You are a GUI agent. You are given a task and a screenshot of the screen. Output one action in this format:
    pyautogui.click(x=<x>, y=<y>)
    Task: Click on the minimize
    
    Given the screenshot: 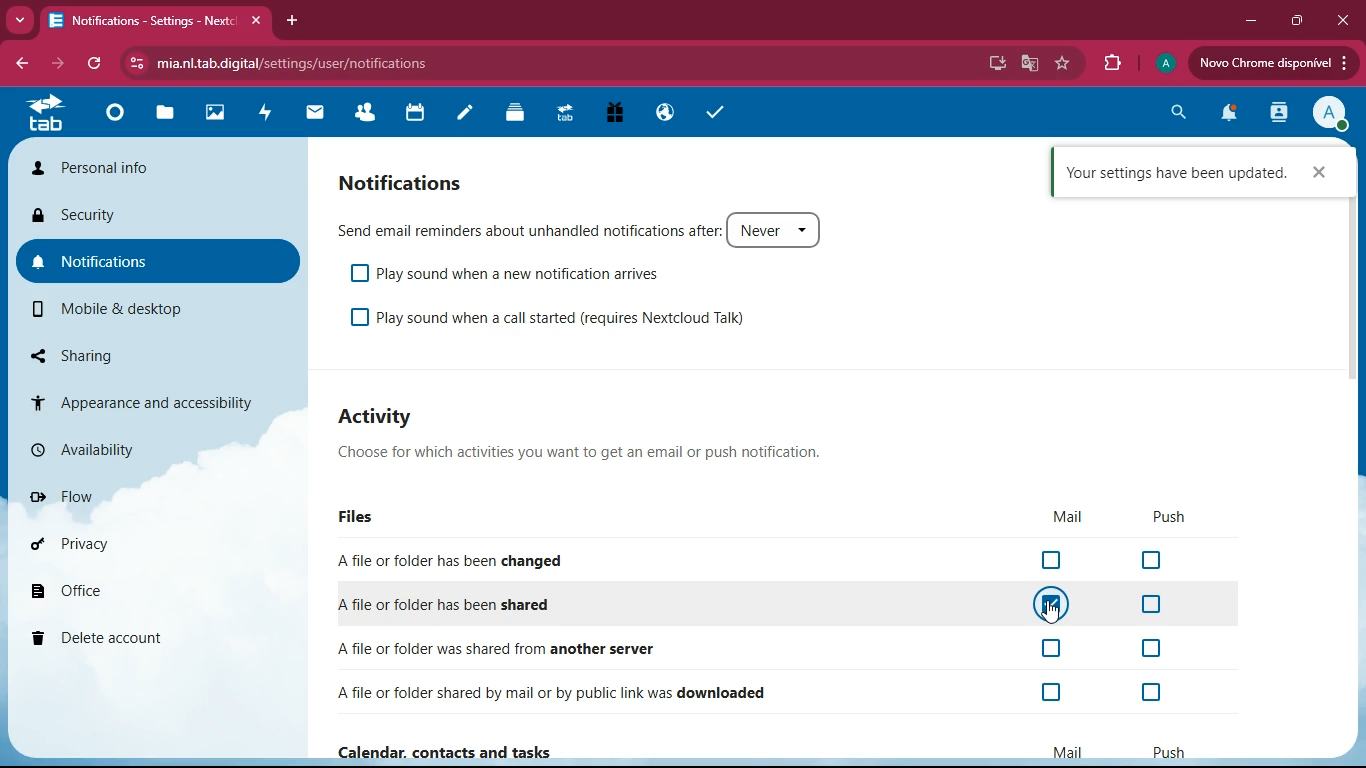 What is the action you would take?
    pyautogui.click(x=1247, y=19)
    